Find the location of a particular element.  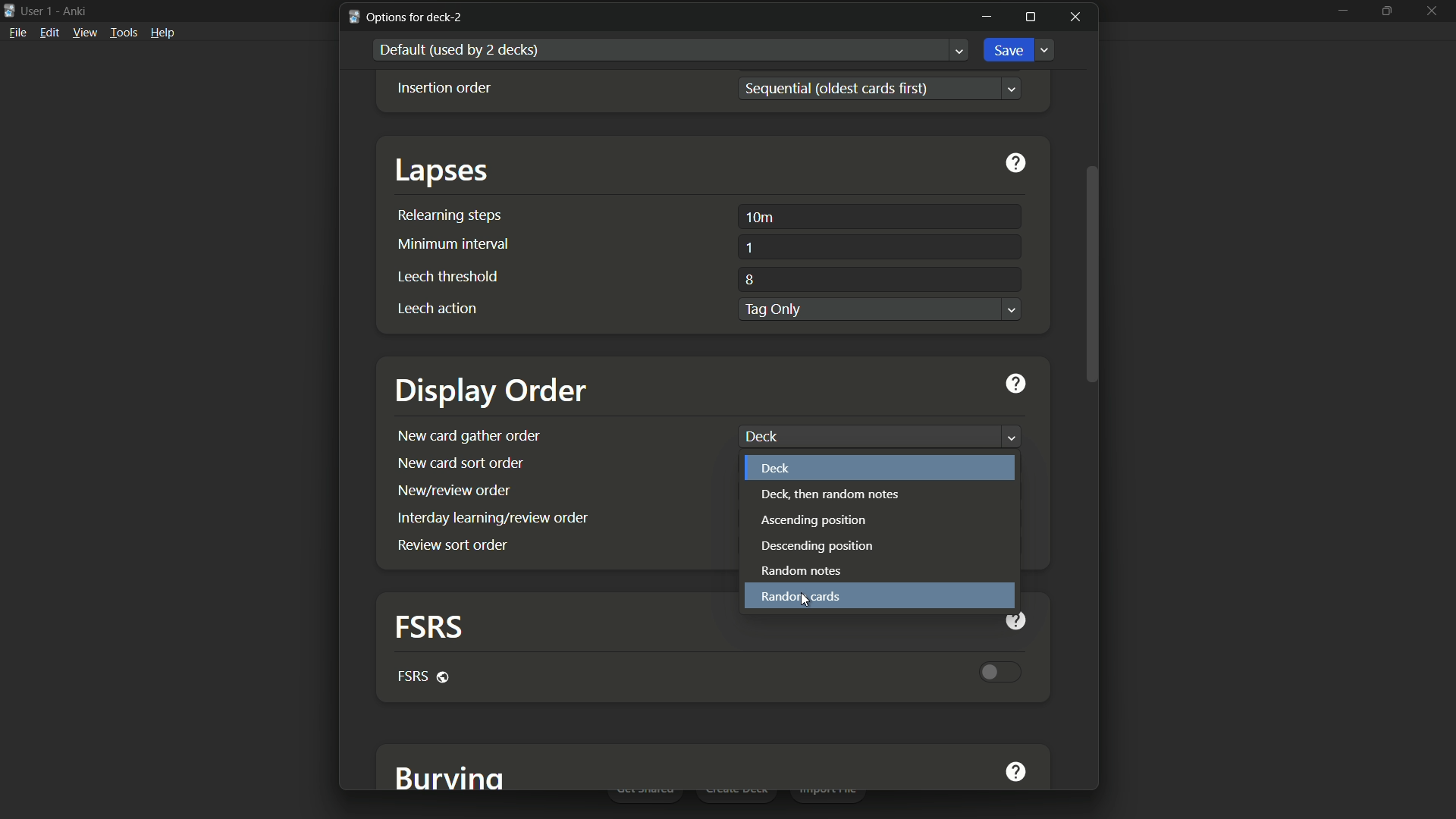

sequential(oldest cards first) is located at coordinates (846, 86).